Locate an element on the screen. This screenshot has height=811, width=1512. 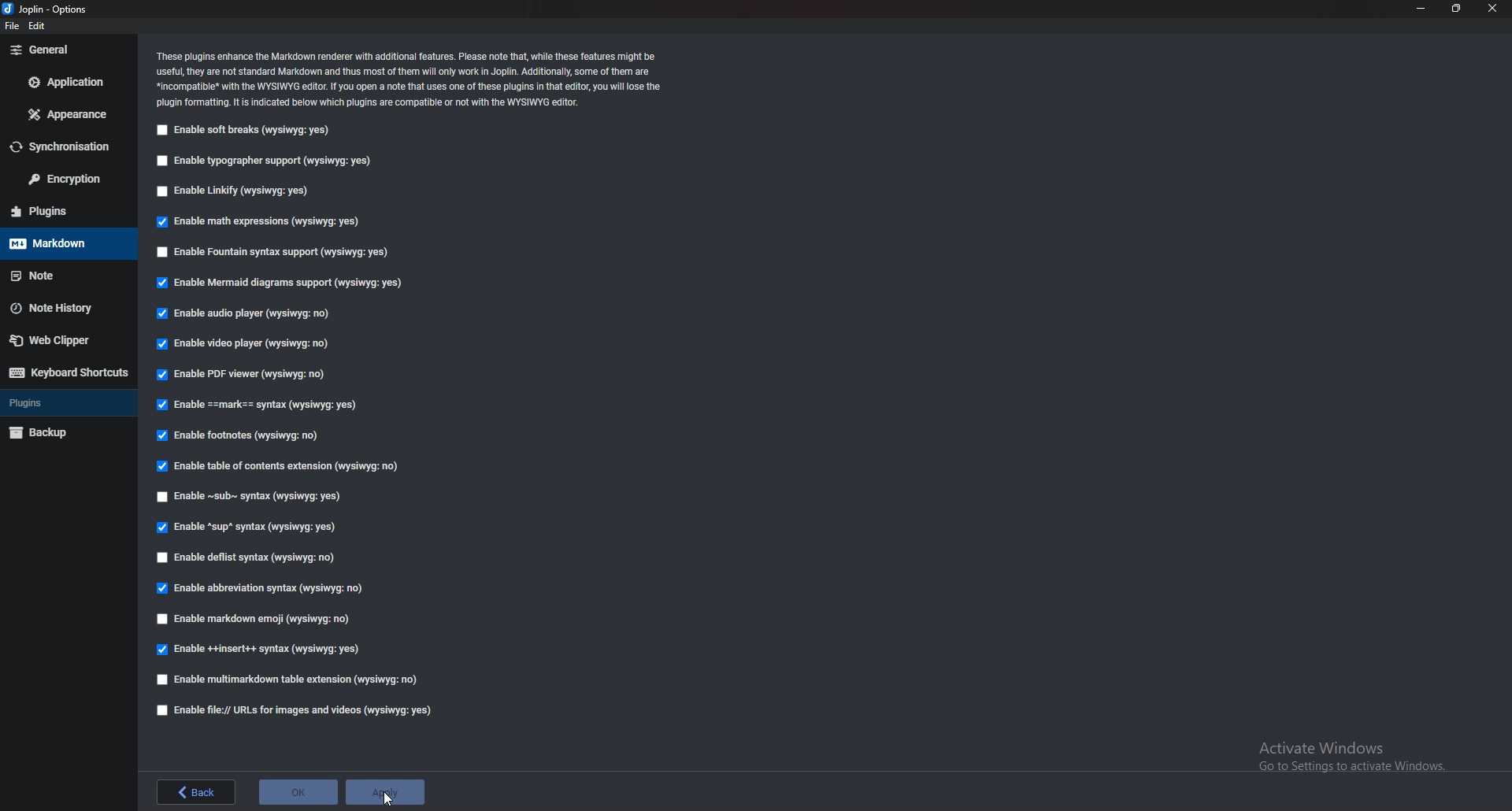
close is located at coordinates (1493, 9).